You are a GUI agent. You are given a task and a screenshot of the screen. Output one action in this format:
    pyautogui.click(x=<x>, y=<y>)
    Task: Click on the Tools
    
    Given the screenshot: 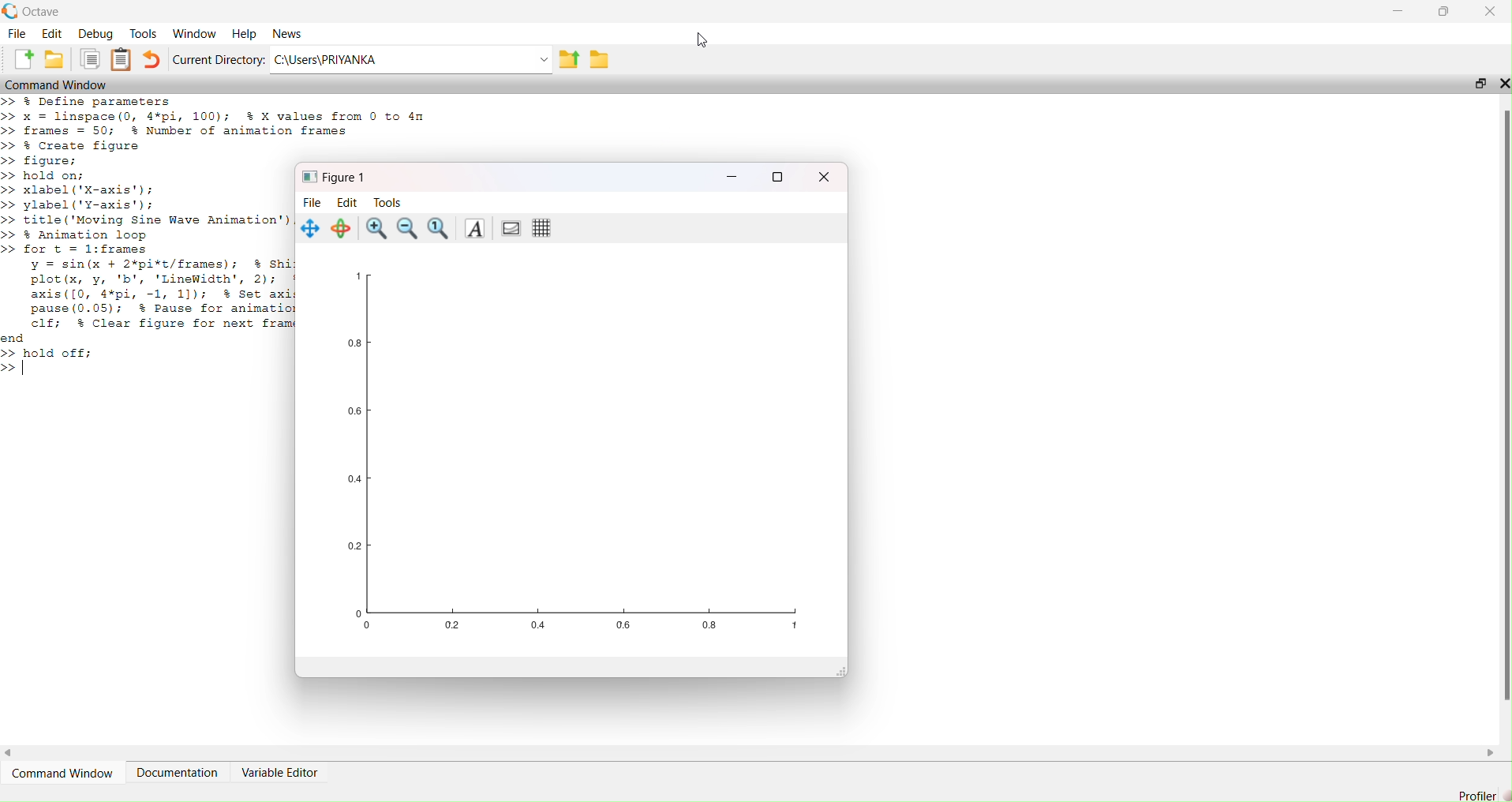 What is the action you would take?
    pyautogui.click(x=395, y=204)
    